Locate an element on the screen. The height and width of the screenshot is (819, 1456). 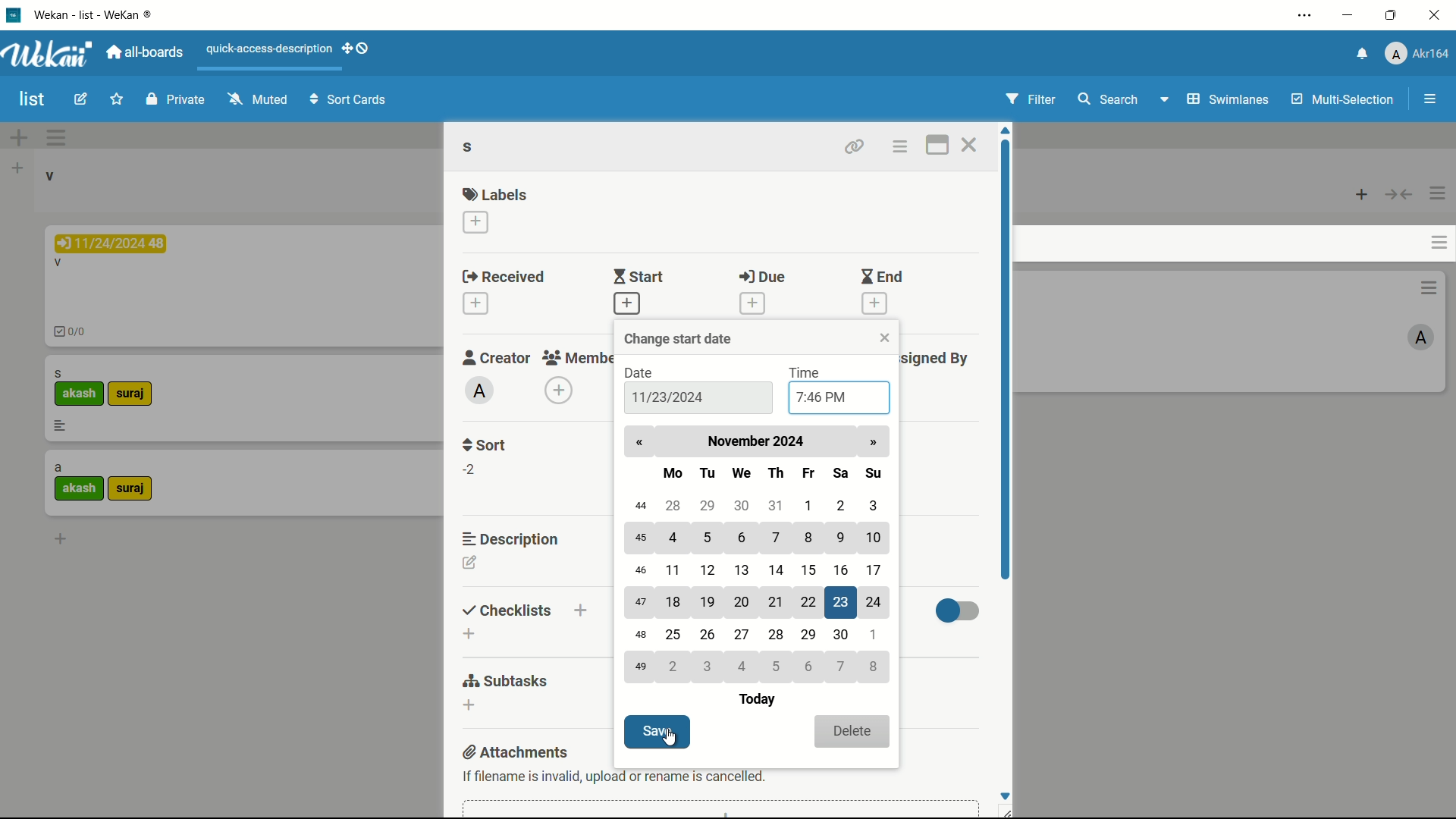
Scroll down is located at coordinates (1007, 794).